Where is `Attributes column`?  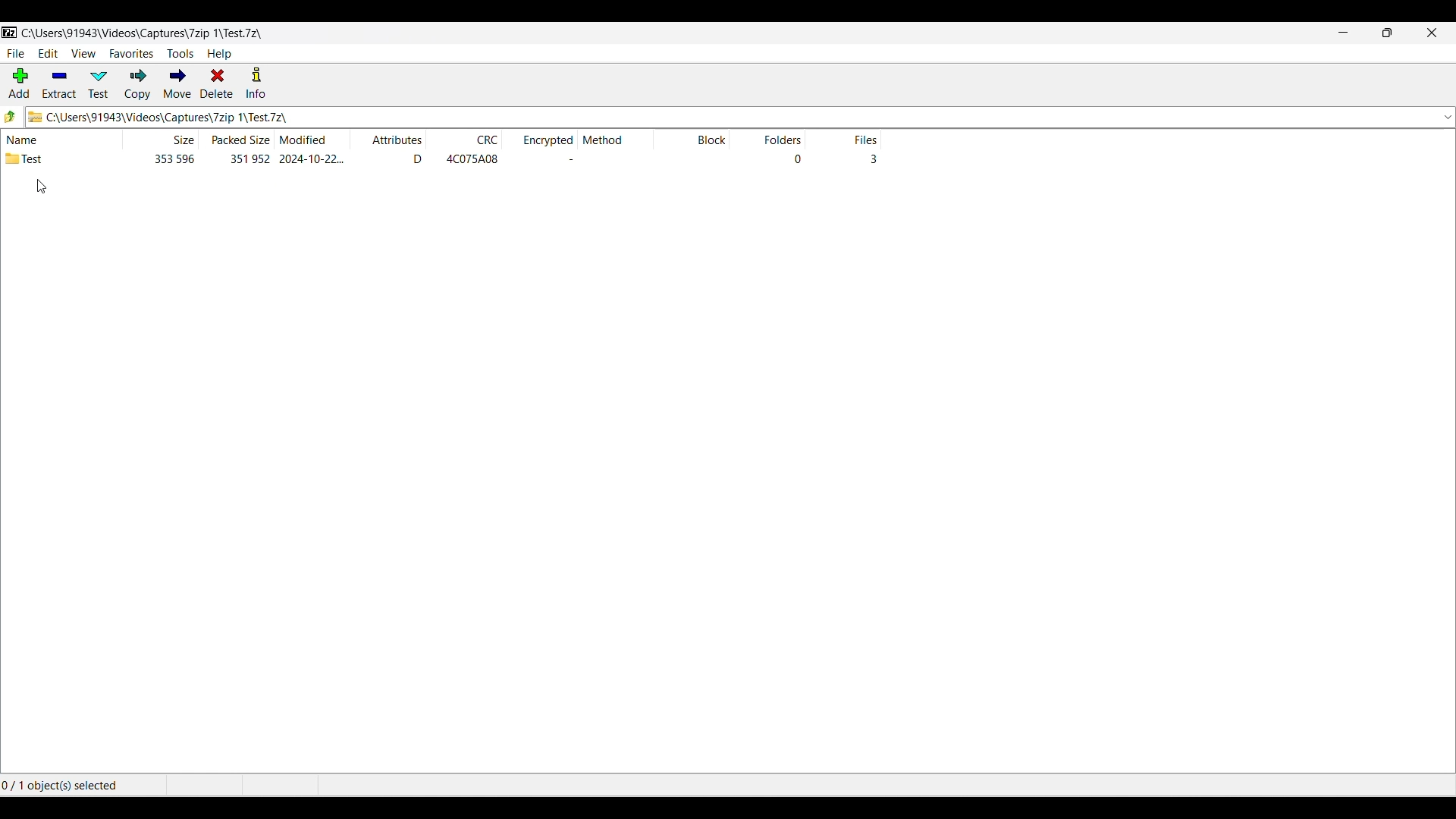 Attributes column is located at coordinates (394, 139).